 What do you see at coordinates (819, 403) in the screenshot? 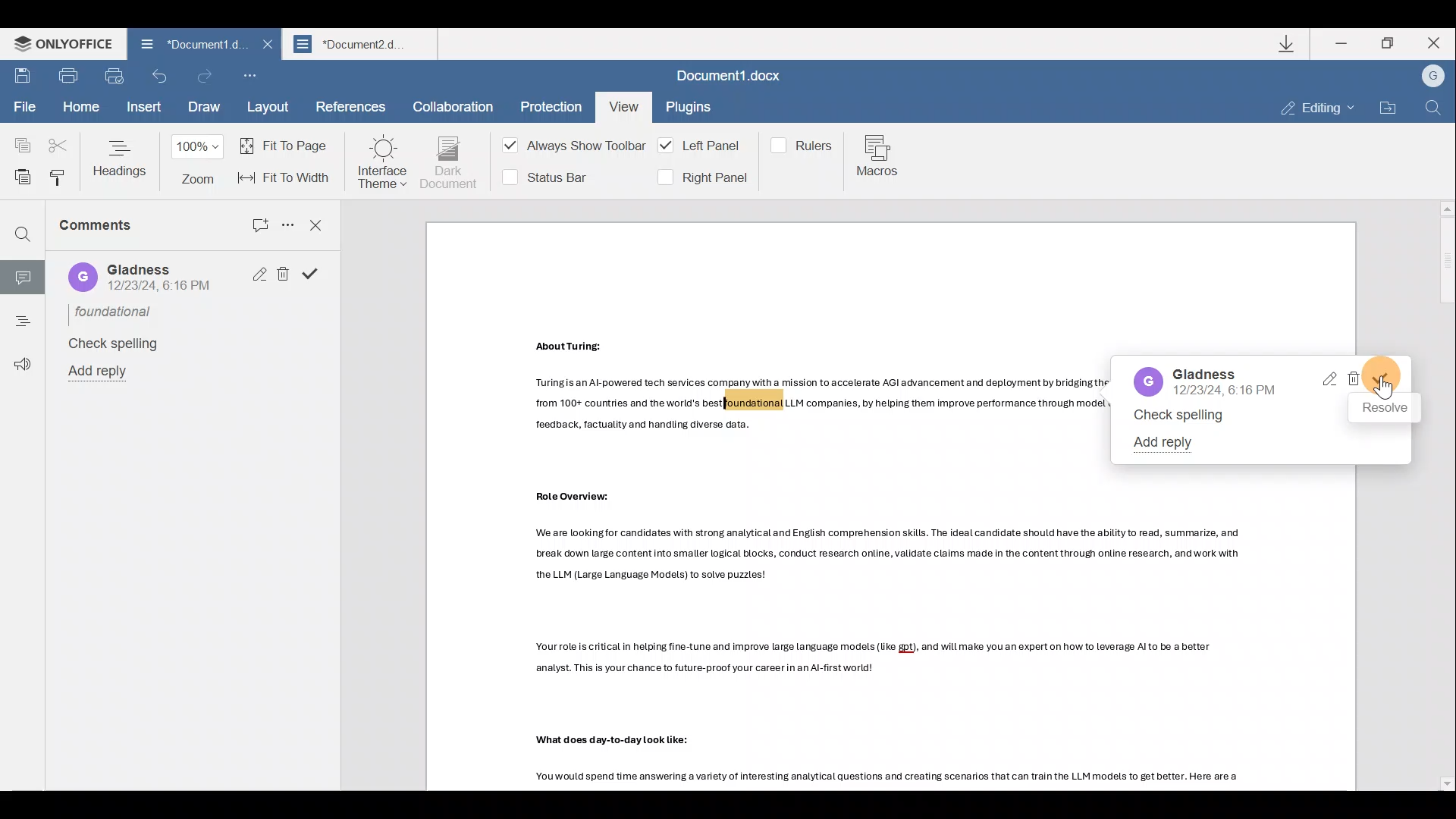
I see `` at bounding box center [819, 403].